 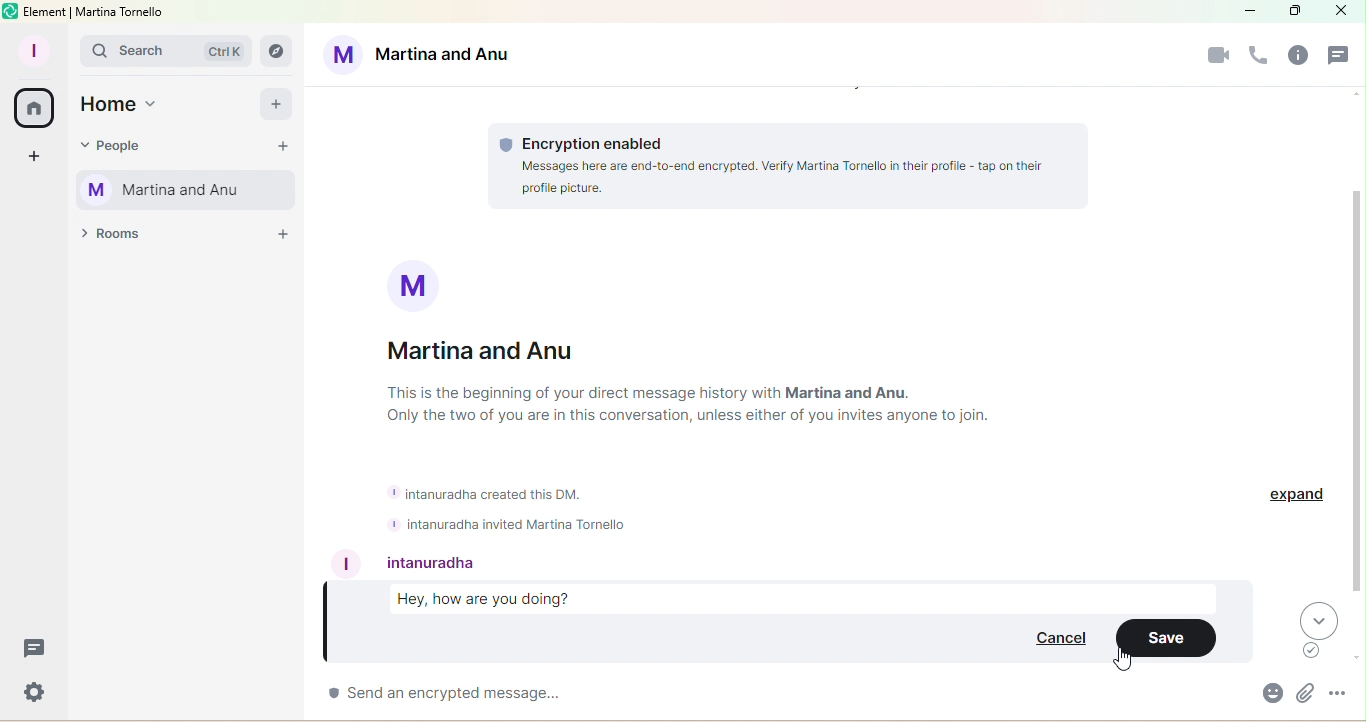 What do you see at coordinates (275, 49) in the screenshot?
I see `Search rooms` at bounding box center [275, 49].